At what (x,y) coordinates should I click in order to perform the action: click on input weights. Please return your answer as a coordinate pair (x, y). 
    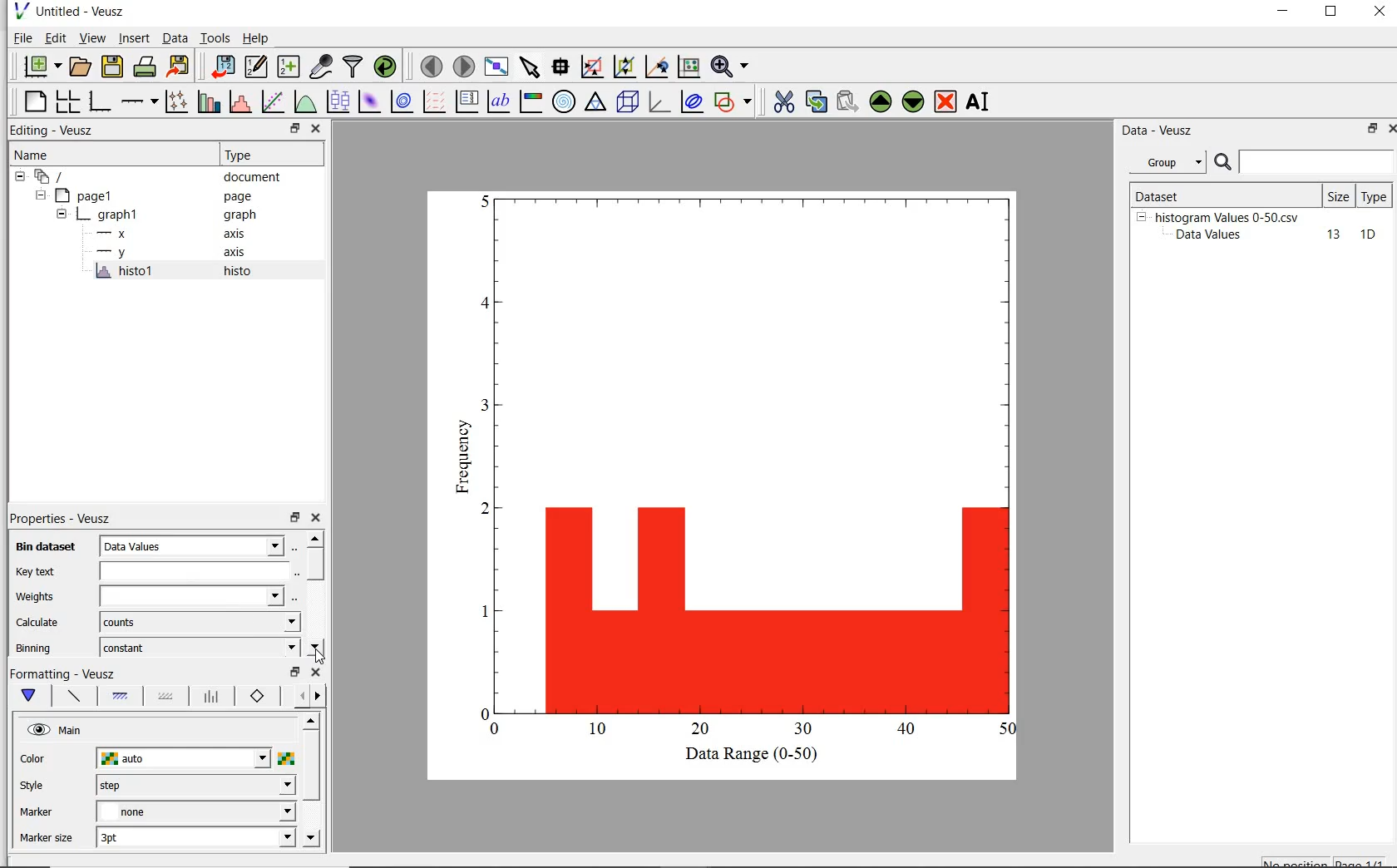
    Looking at the image, I should click on (188, 597).